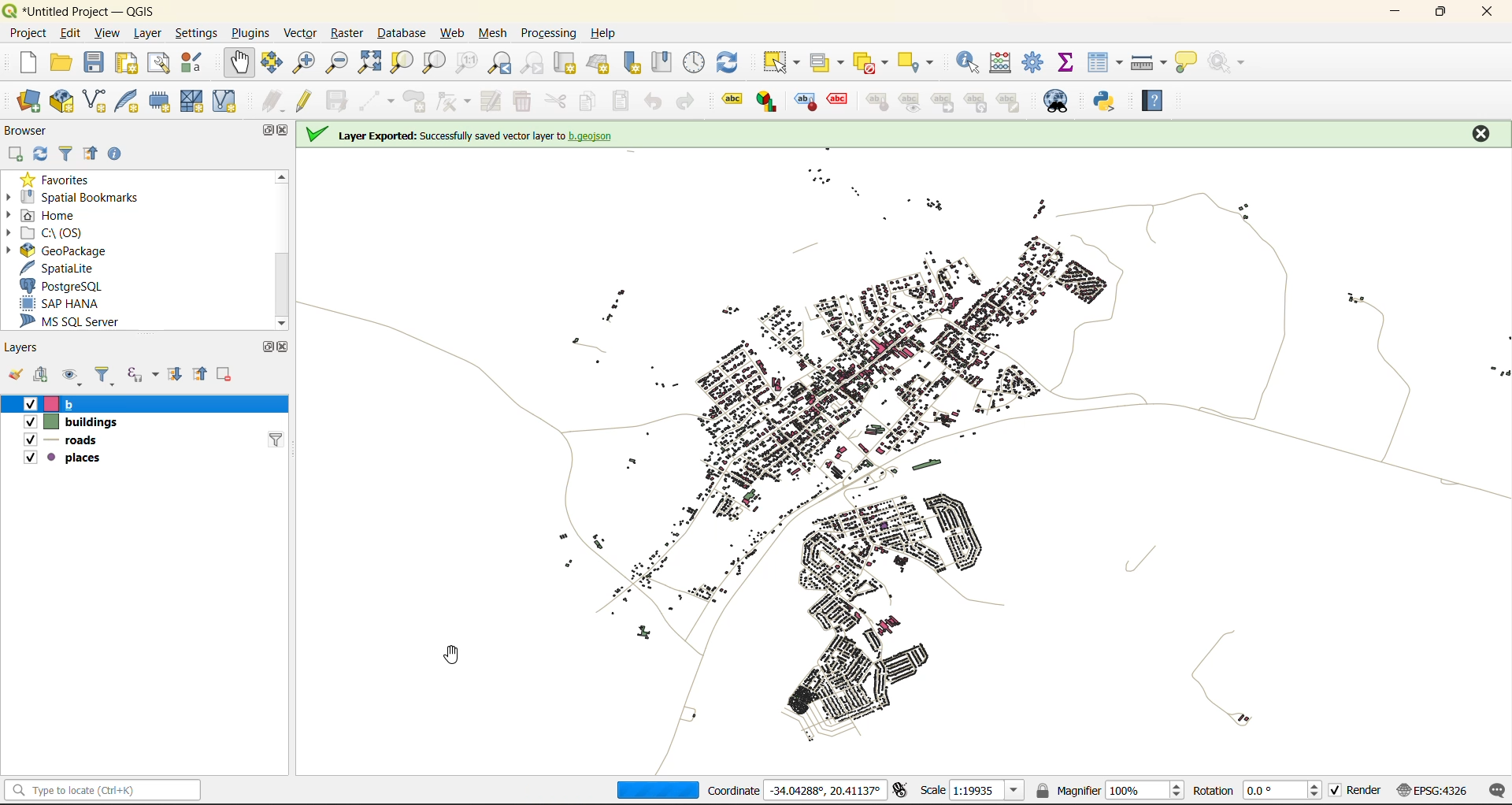 The image size is (1512, 805). I want to click on processing, so click(547, 32).